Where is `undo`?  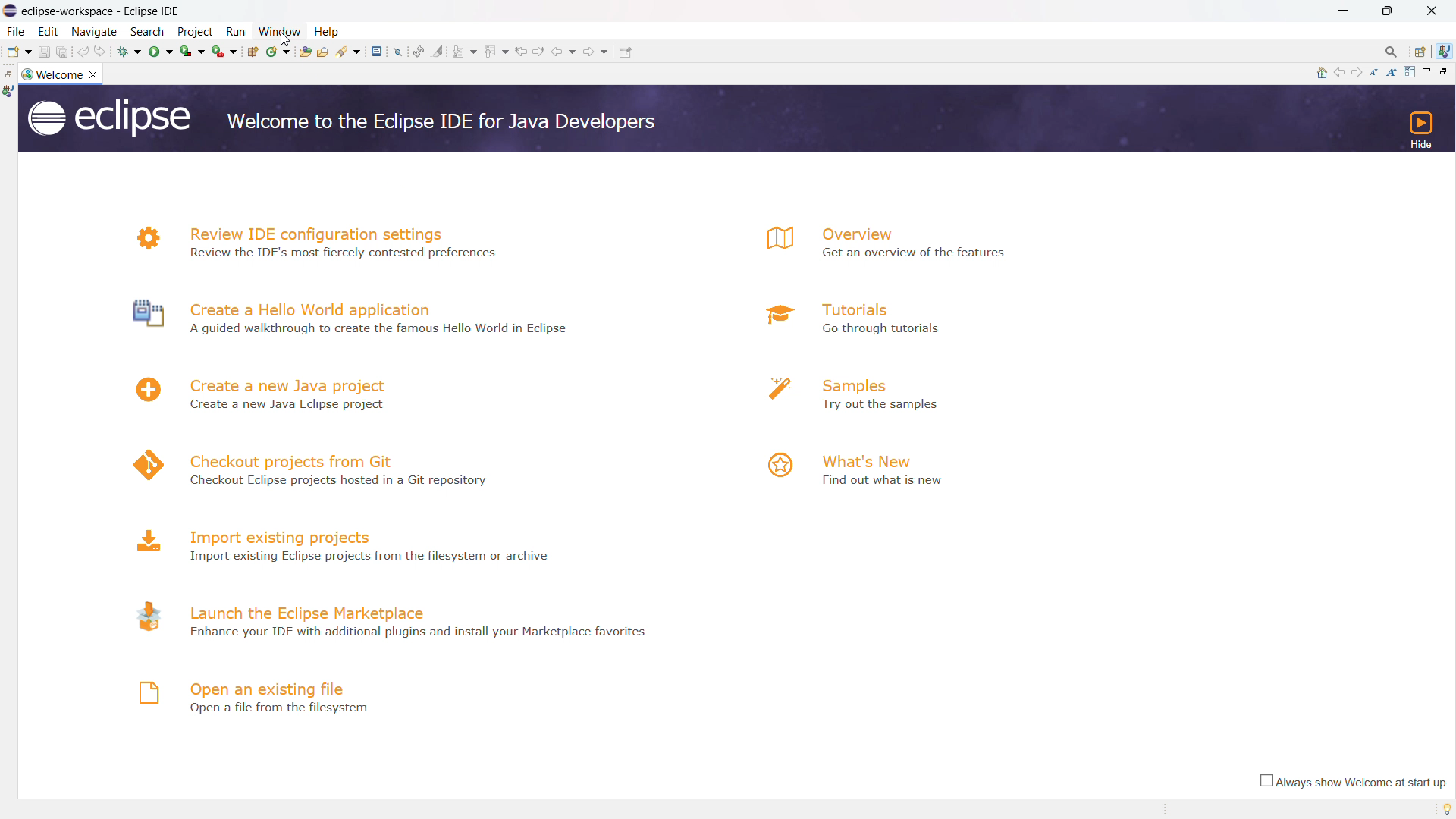
undo is located at coordinates (83, 52).